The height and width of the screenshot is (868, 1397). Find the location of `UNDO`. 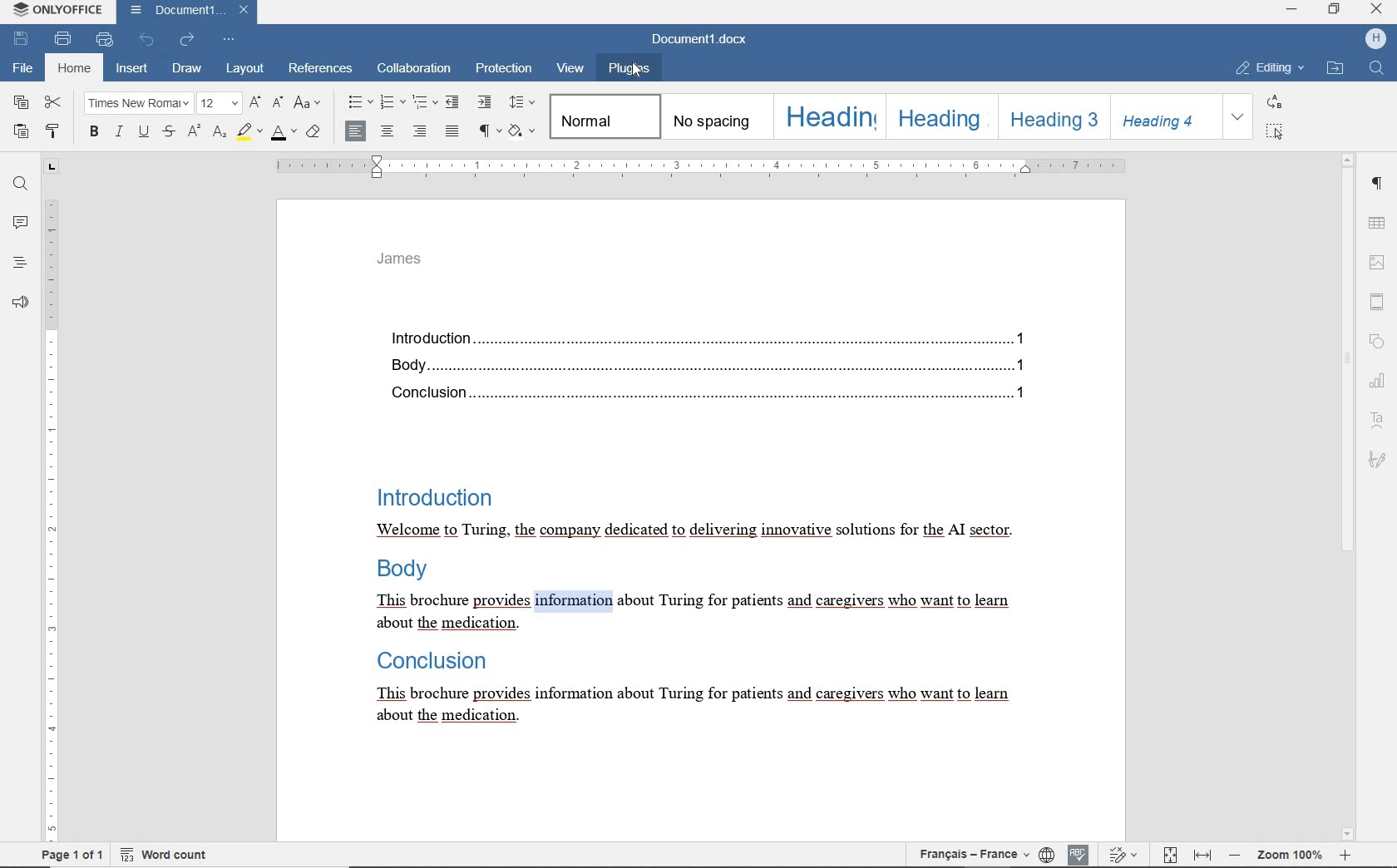

UNDO is located at coordinates (146, 39).